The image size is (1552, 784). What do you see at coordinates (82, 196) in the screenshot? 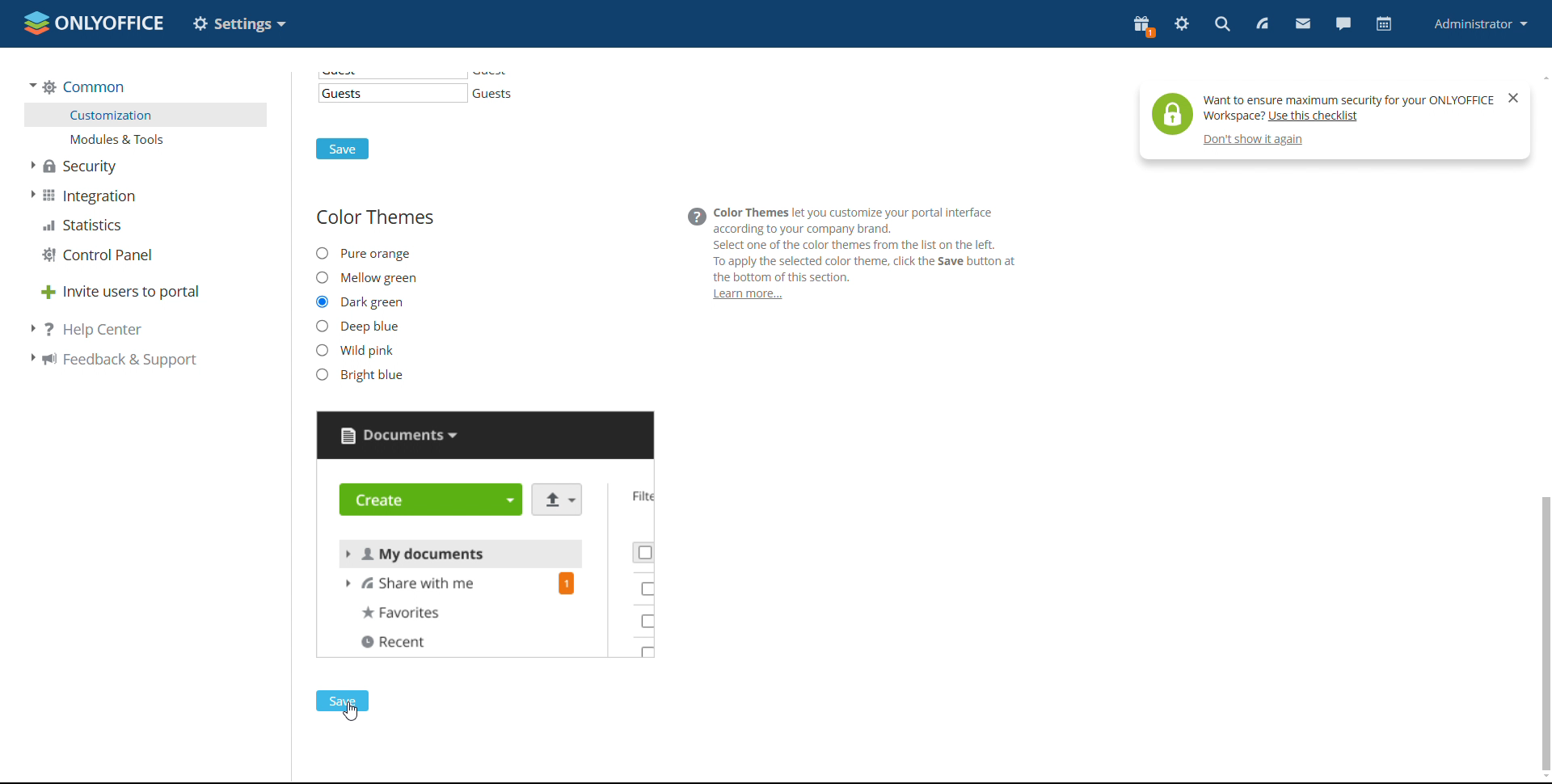
I see `integration` at bounding box center [82, 196].